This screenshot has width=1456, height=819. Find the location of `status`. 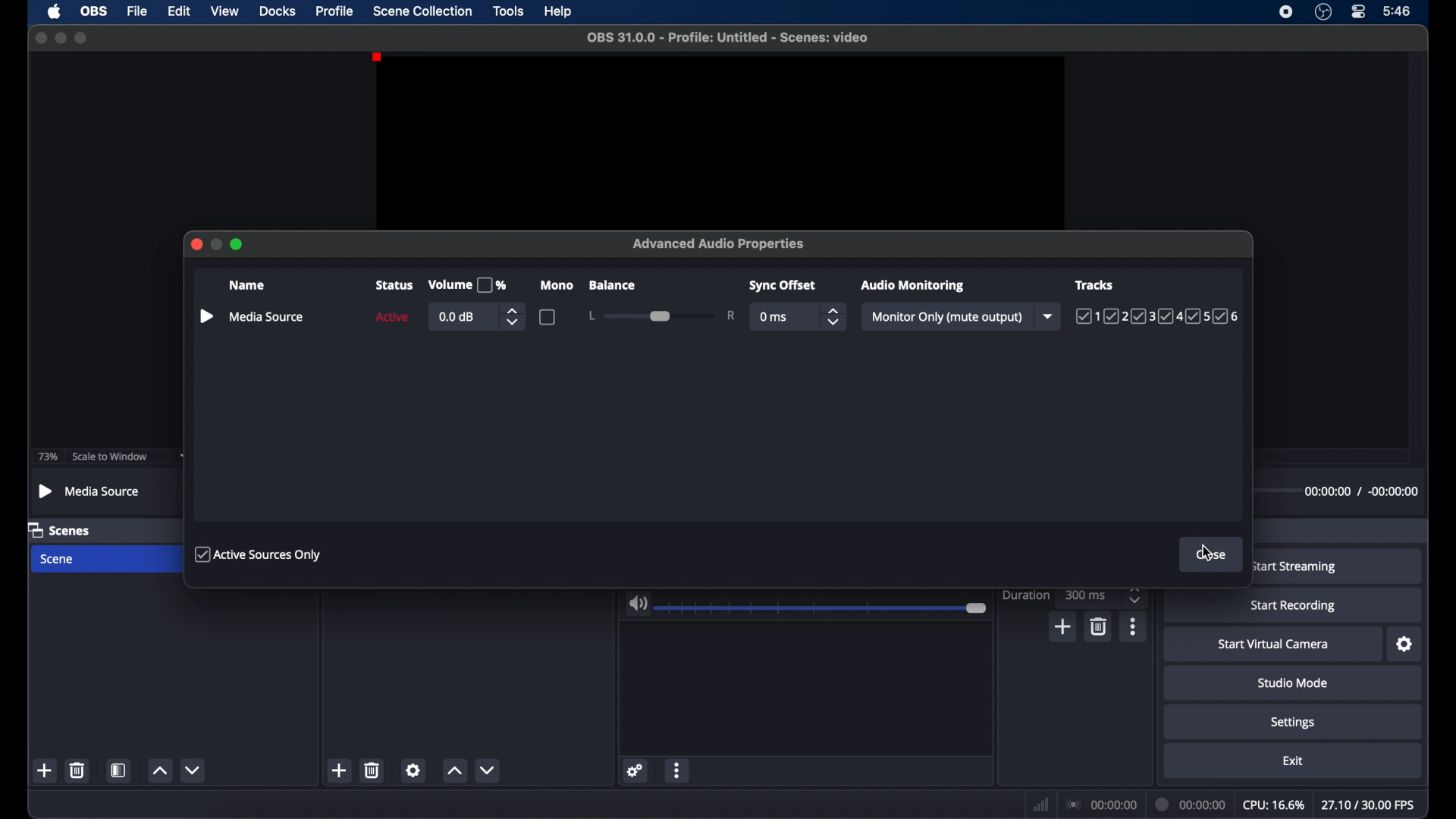

status is located at coordinates (394, 285).